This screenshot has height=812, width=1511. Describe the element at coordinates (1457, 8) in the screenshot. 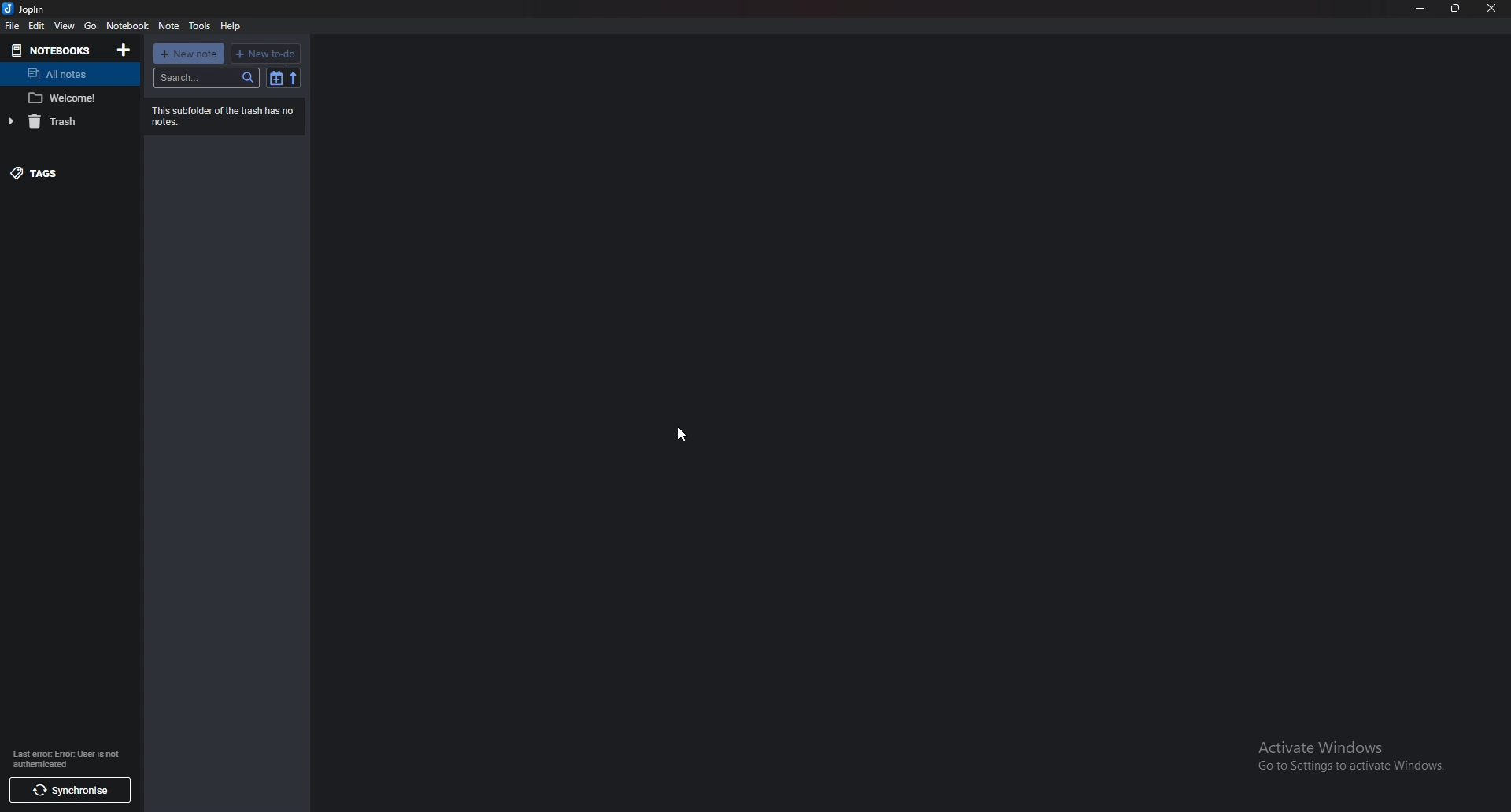

I see `resize` at that location.